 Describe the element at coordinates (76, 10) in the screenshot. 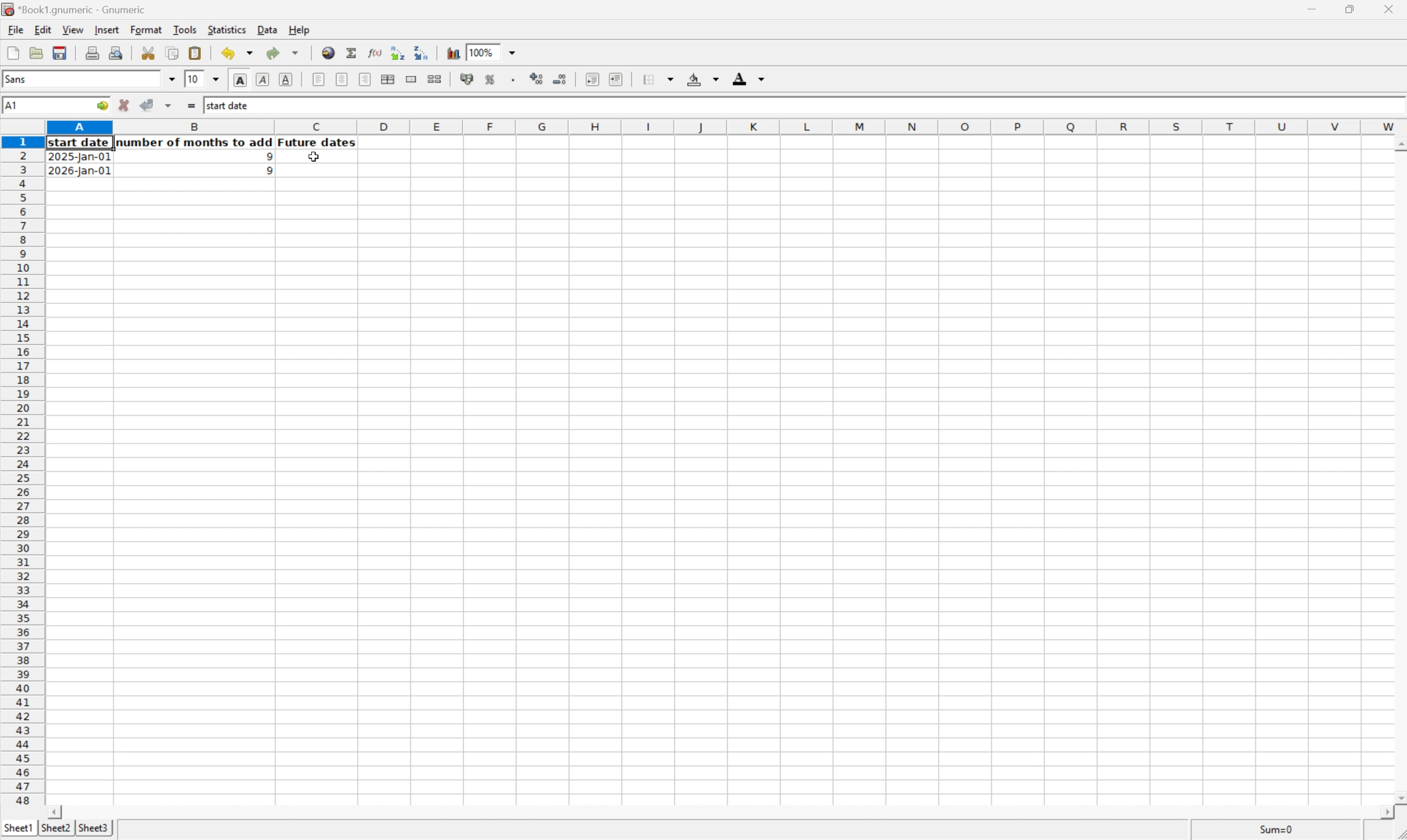

I see `*Book1.gnumeric - Gnumeric` at that location.